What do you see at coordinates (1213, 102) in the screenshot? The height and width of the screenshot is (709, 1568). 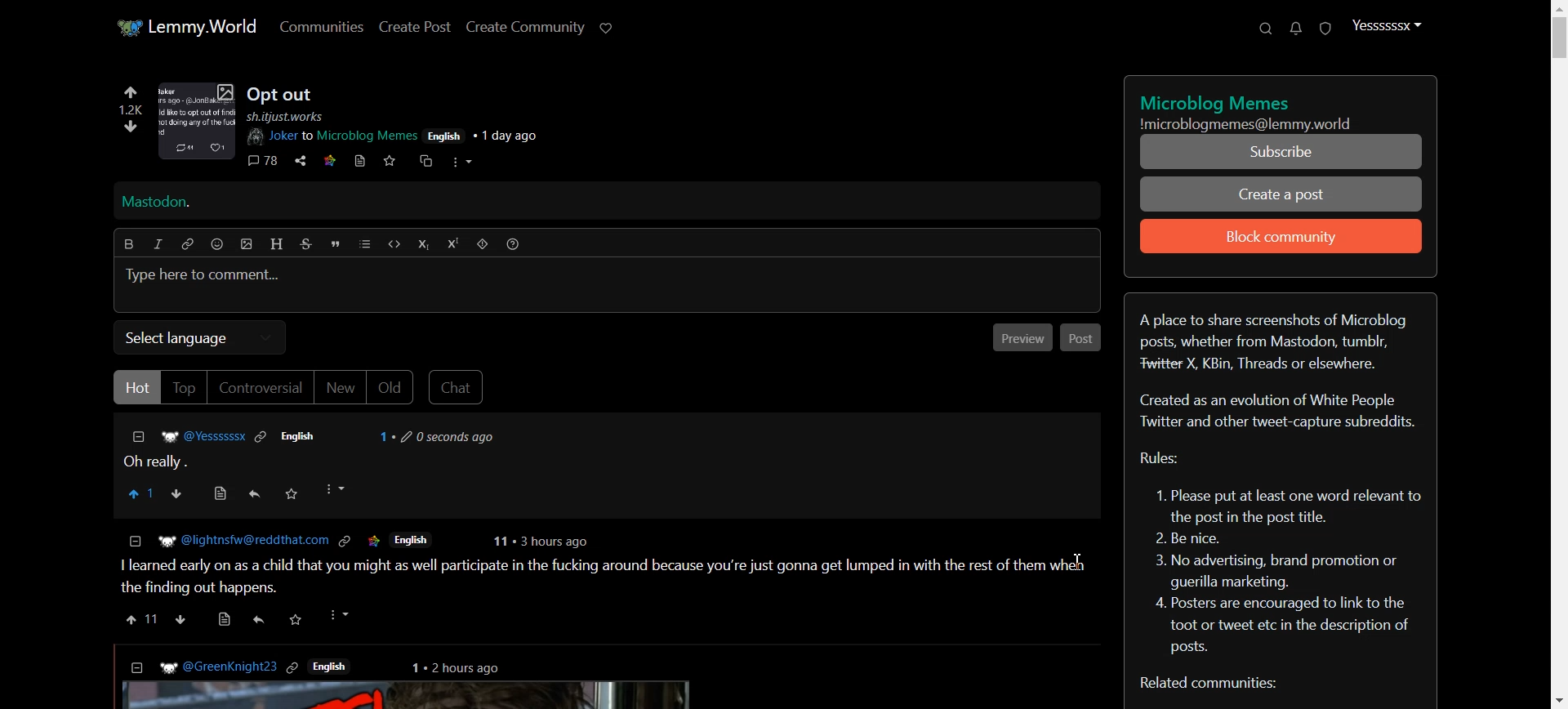 I see `title` at bounding box center [1213, 102].